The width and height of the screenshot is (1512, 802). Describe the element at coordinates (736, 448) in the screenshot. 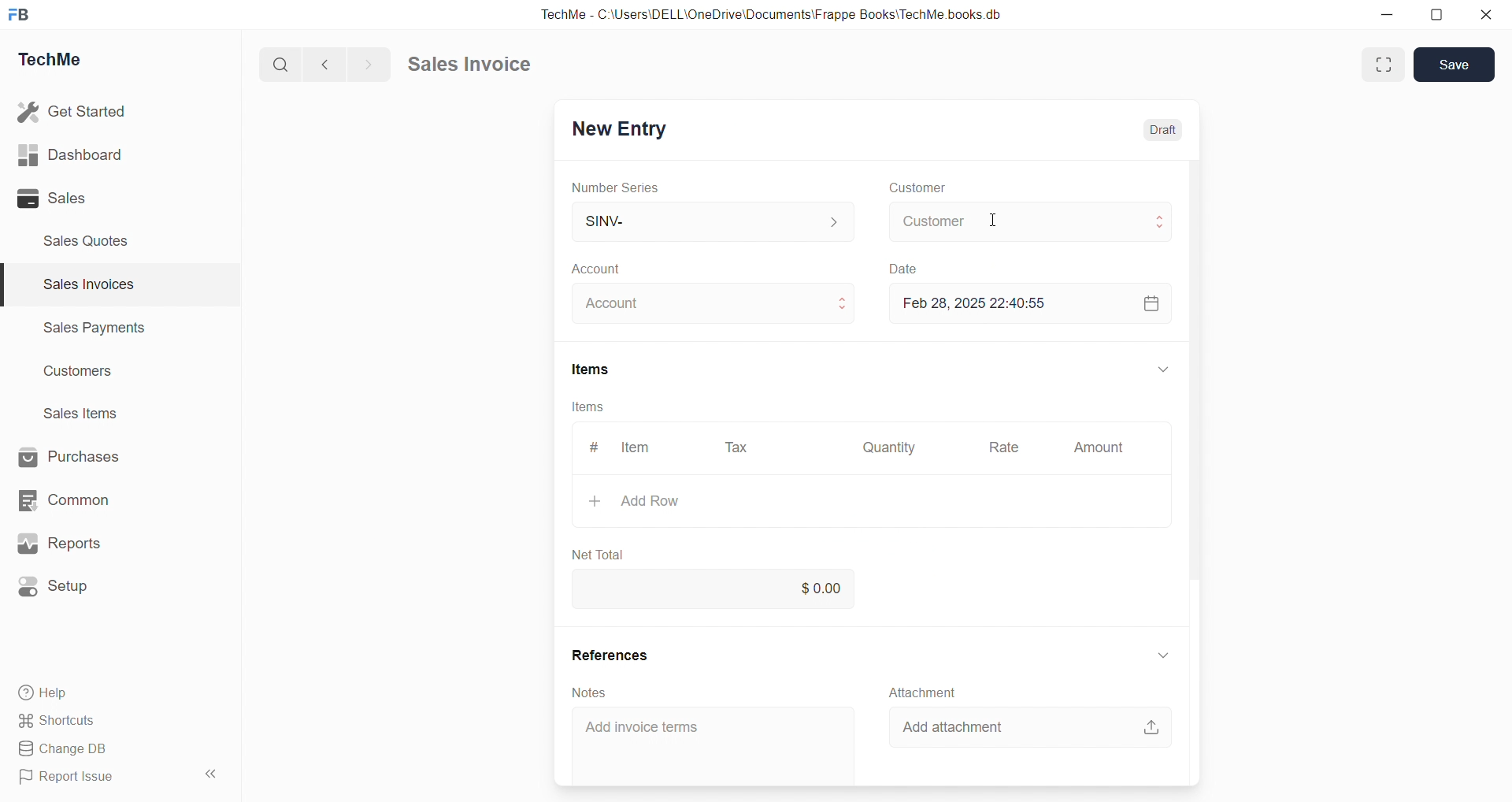

I see `Tax` at that location.